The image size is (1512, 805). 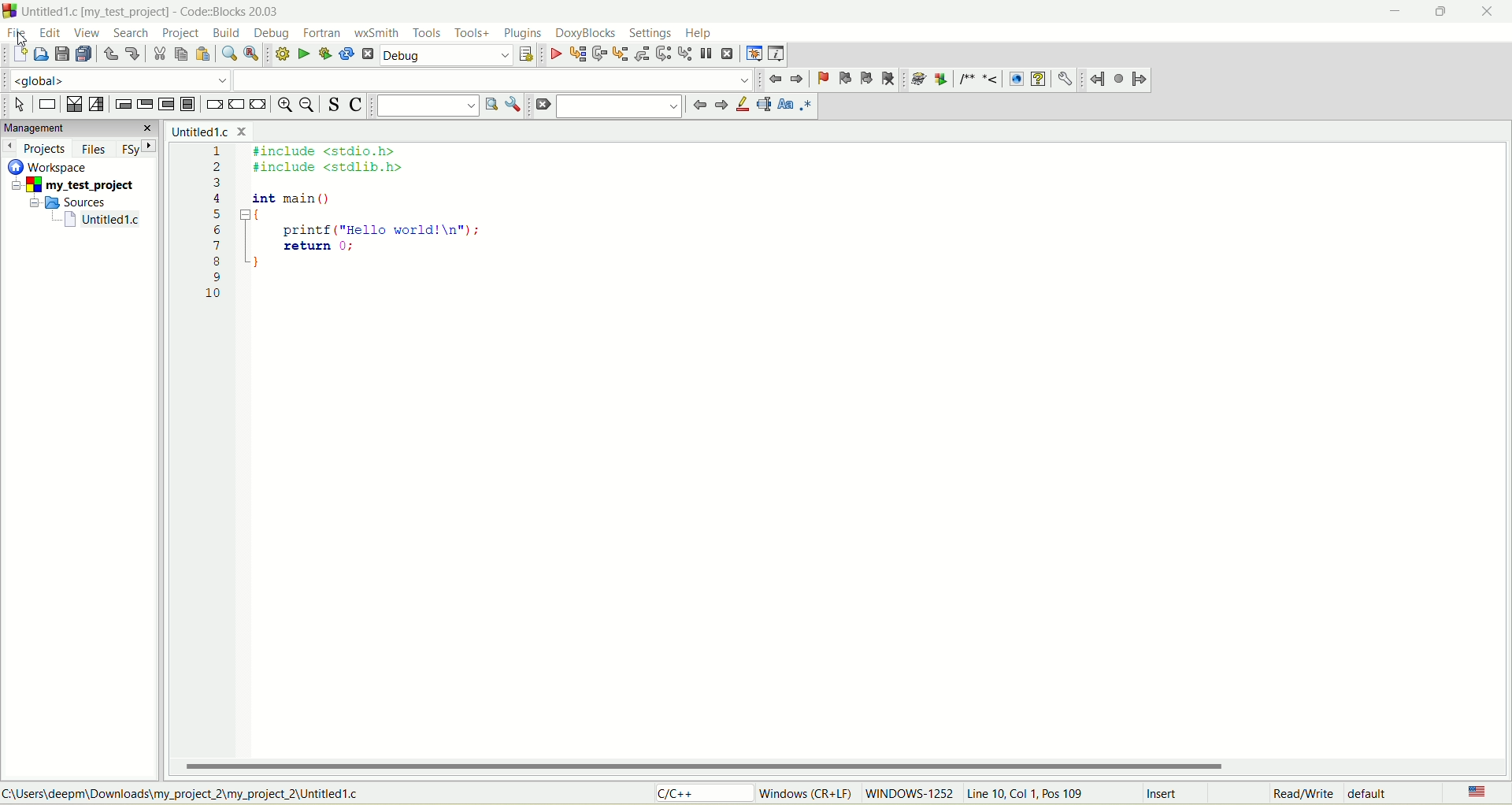 What do you see at coordinates (1373, 792) in the screenshot?
I see `default` at bounding box center [1373, 792].